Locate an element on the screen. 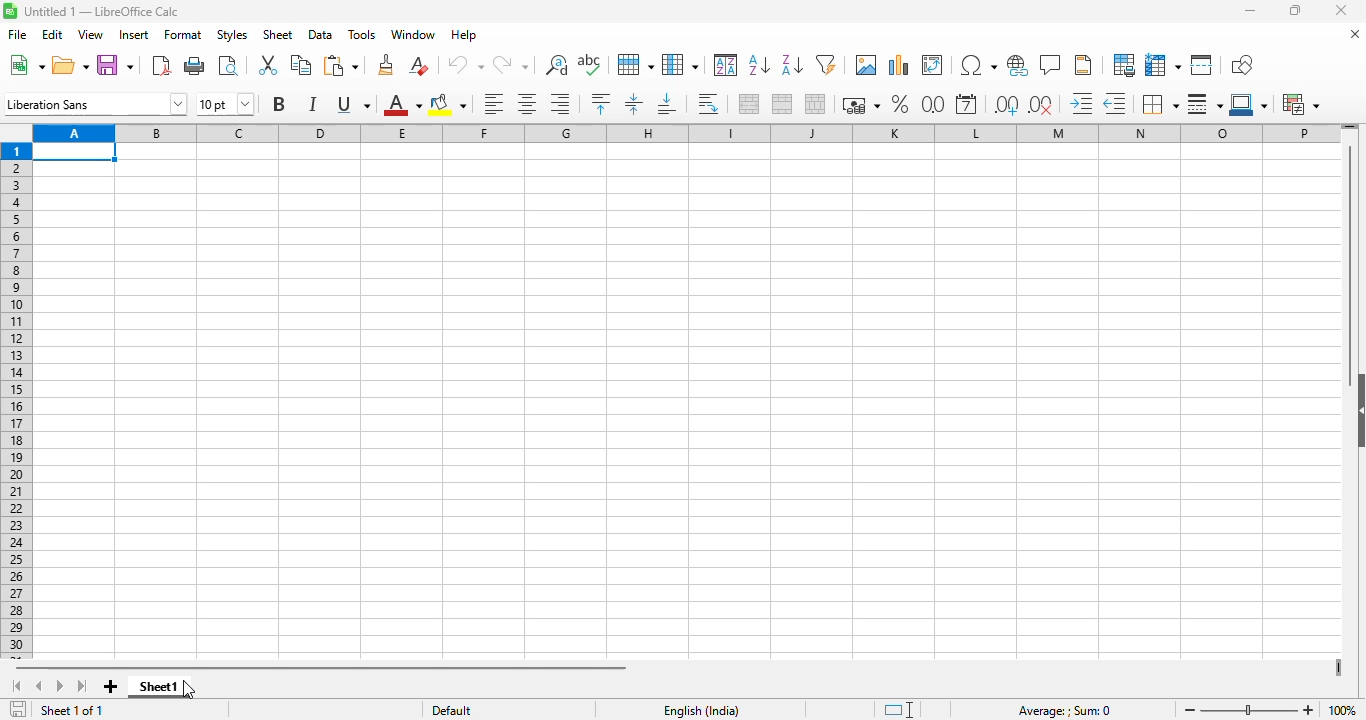  format is located at coordinates (183, 35).